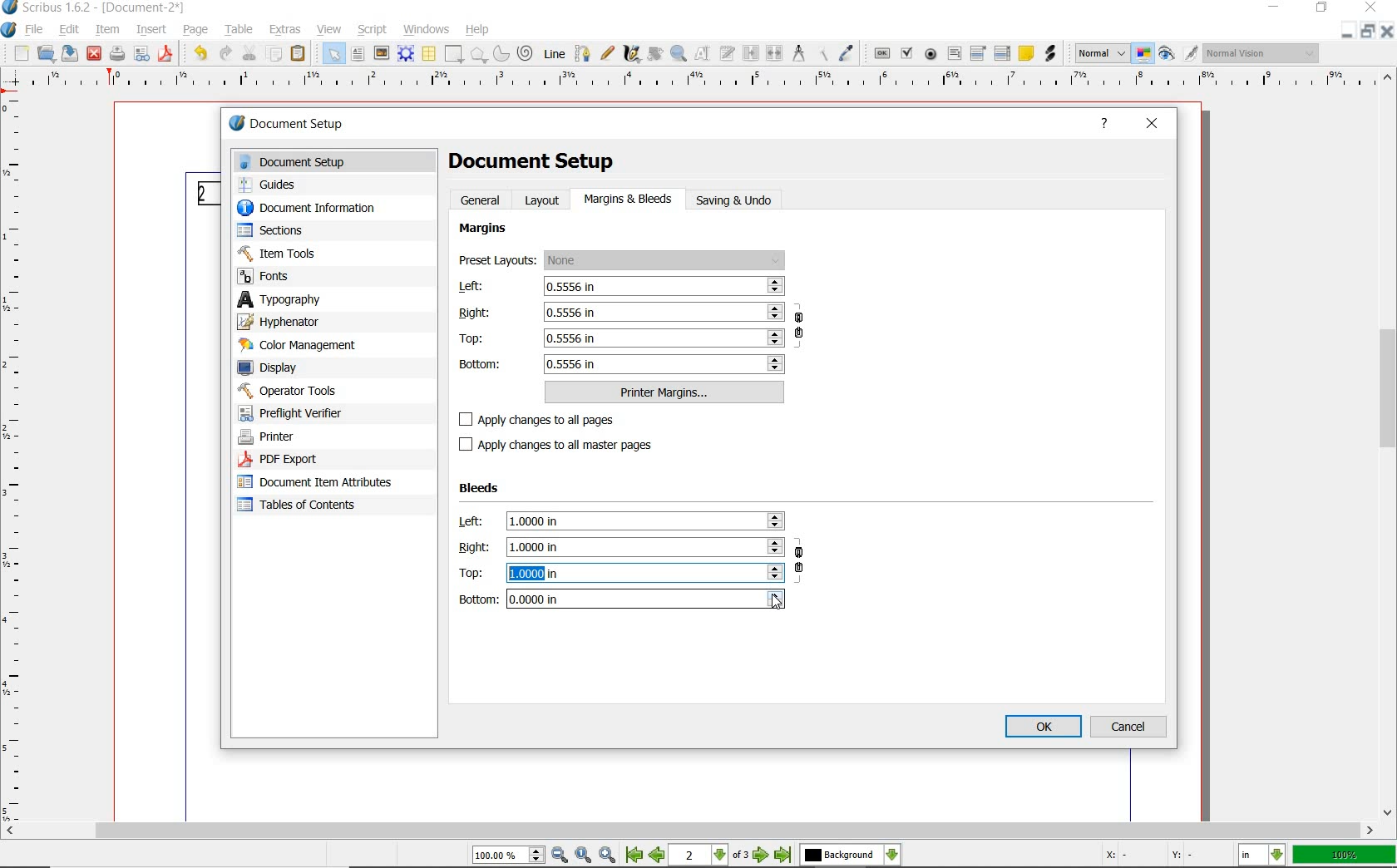  What do you see at coordinates (784, 856) in the screenshot?
I see `Last Page` at bounding box center [784, 856].